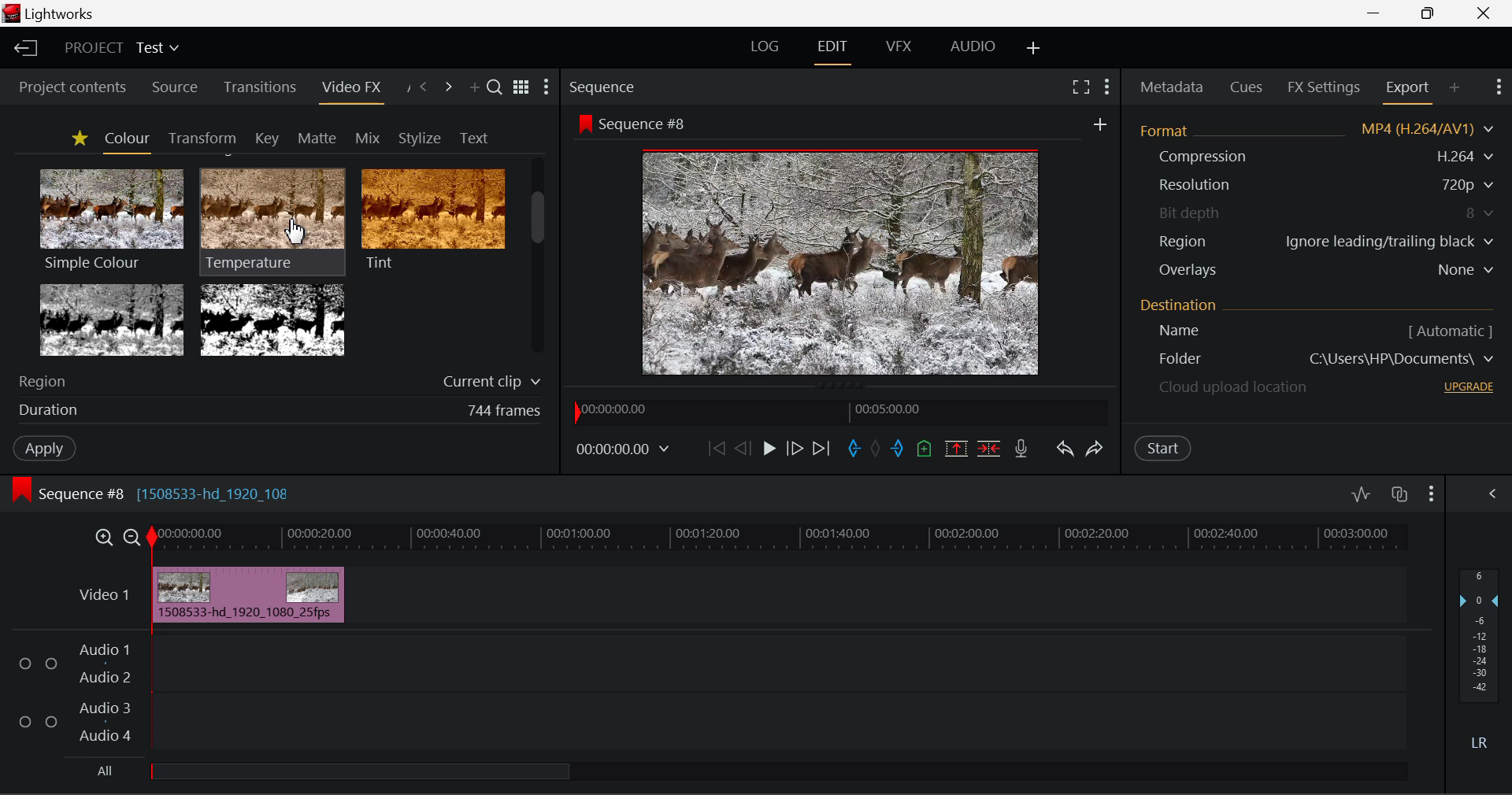 Image resolution: width=1512 pixels, height=795 pixels. What do you see at coordinates (1388, 242) in the screenshot?
I see `Ignore leading/trailing black ` at bounding box center [1388, 242].